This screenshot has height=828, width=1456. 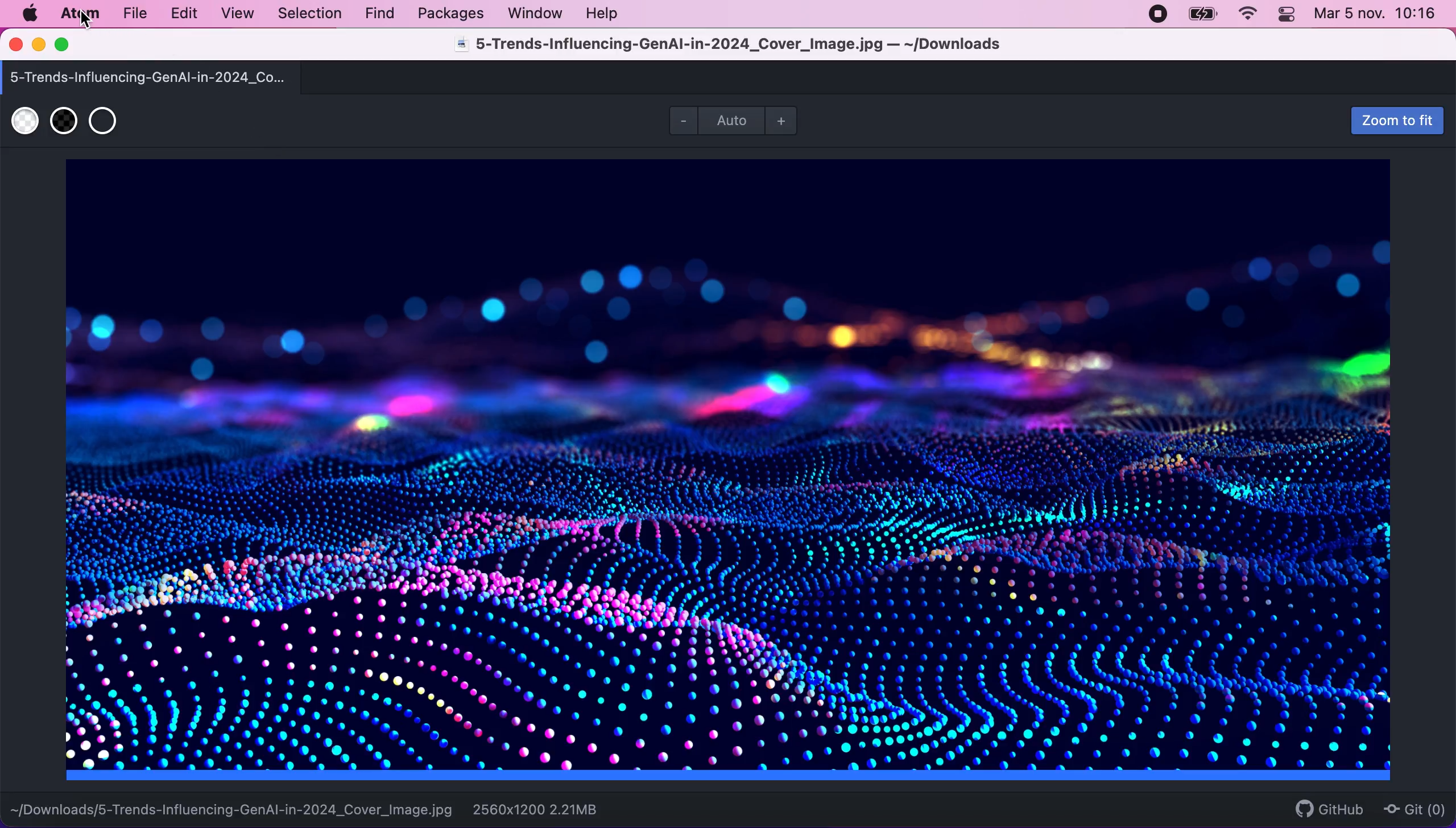 What do you see at coordinates (449, 14) in the screenshot?
I see `packages` at bounding box center [449, 14].